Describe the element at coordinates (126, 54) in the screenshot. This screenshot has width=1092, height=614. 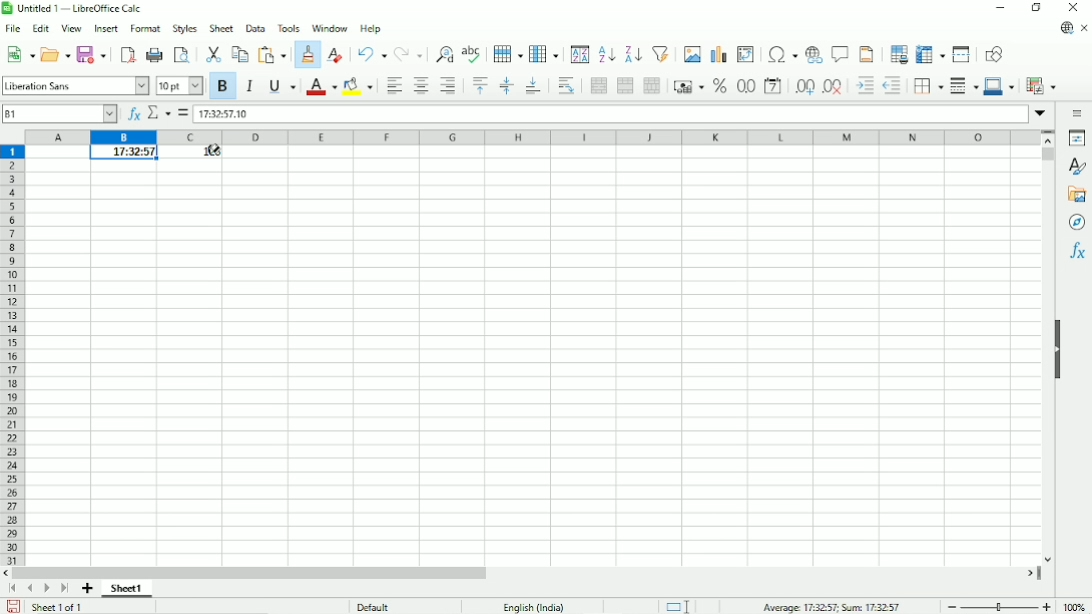
I see `Export as PDF` at that location.